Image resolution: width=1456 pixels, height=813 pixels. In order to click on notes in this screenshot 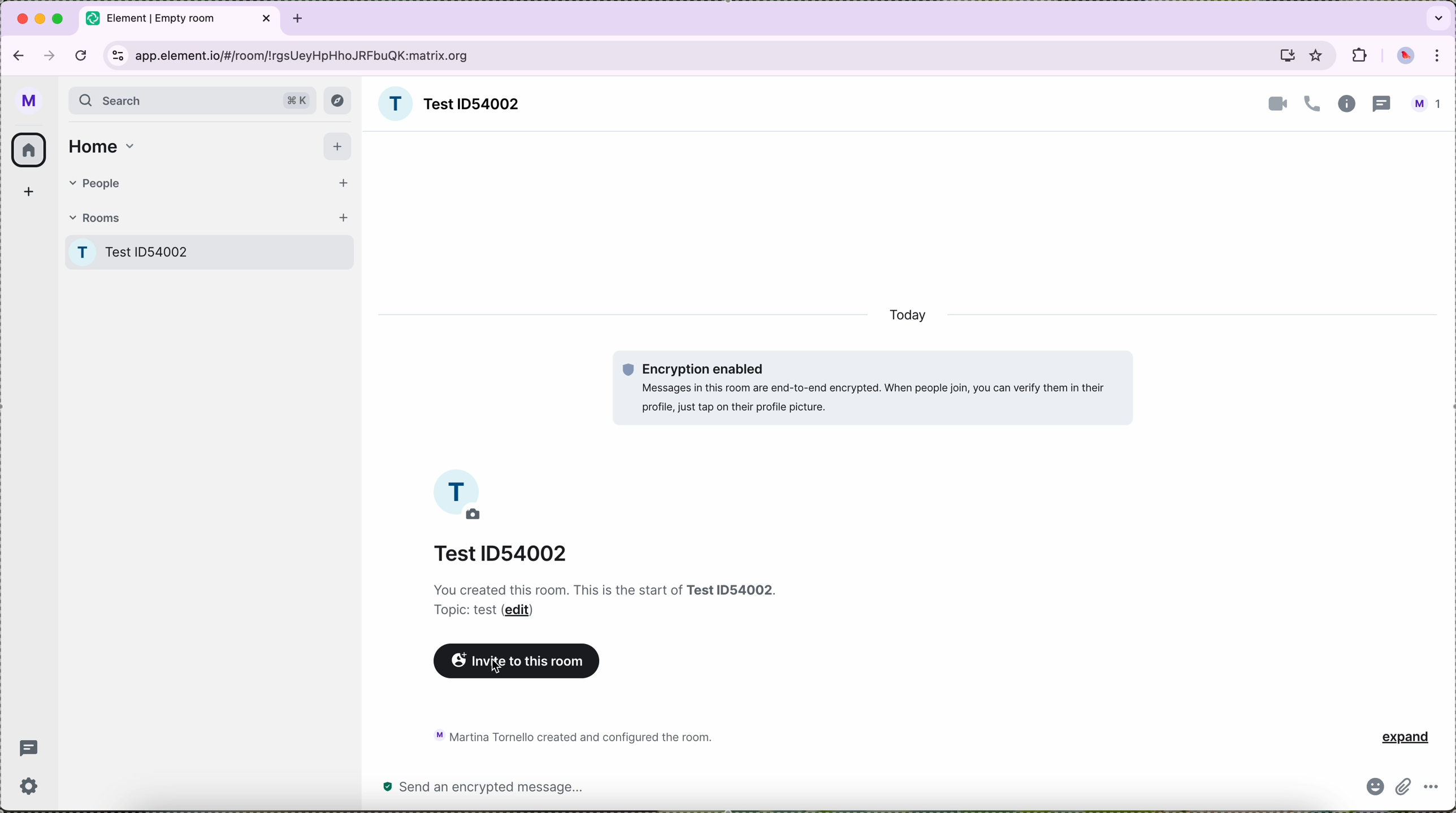, I will do `click(608, 600)`.